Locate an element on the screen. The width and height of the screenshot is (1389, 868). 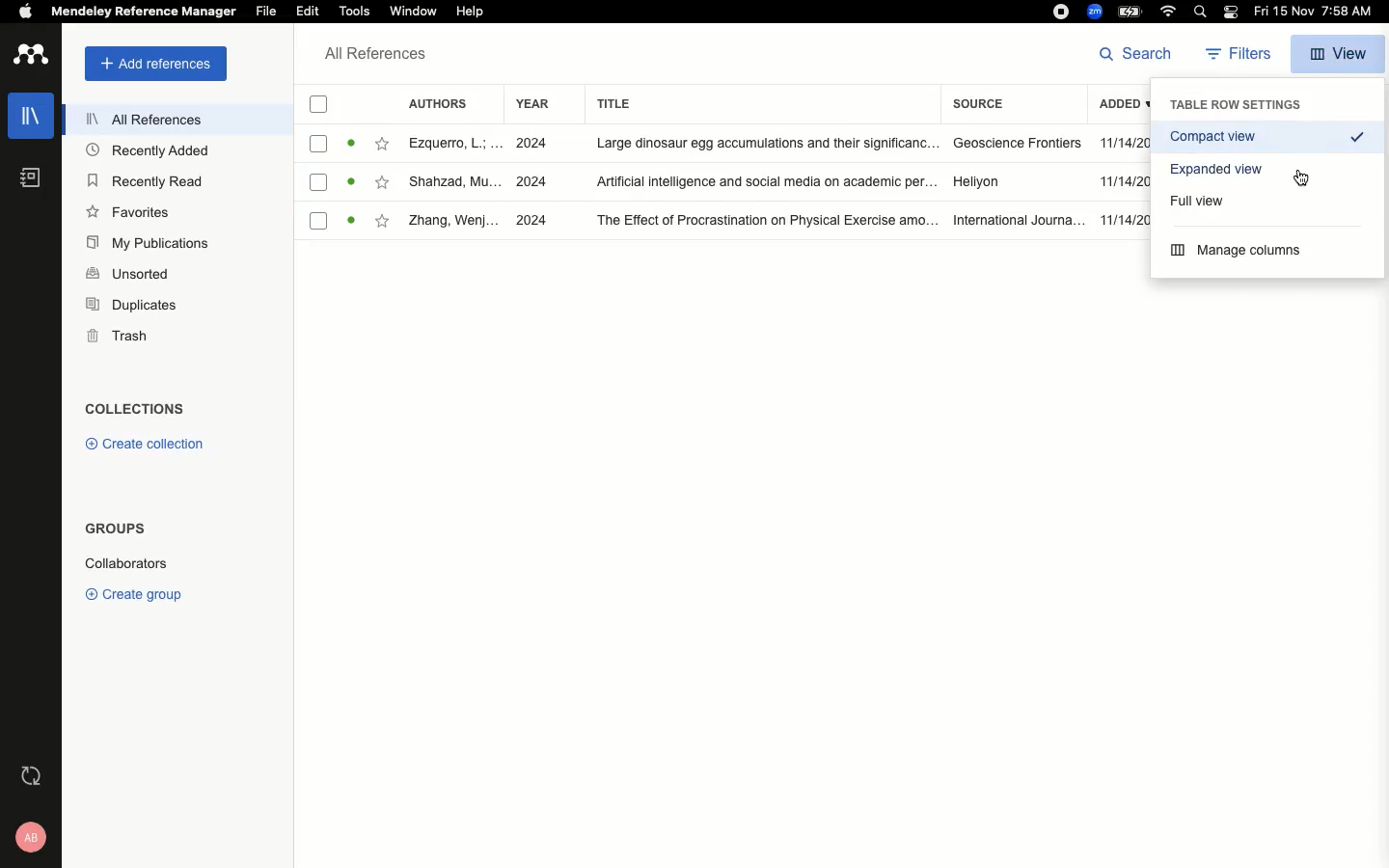
Artificial intelligence and social media on academic per... is located at coordinates (763, 183).